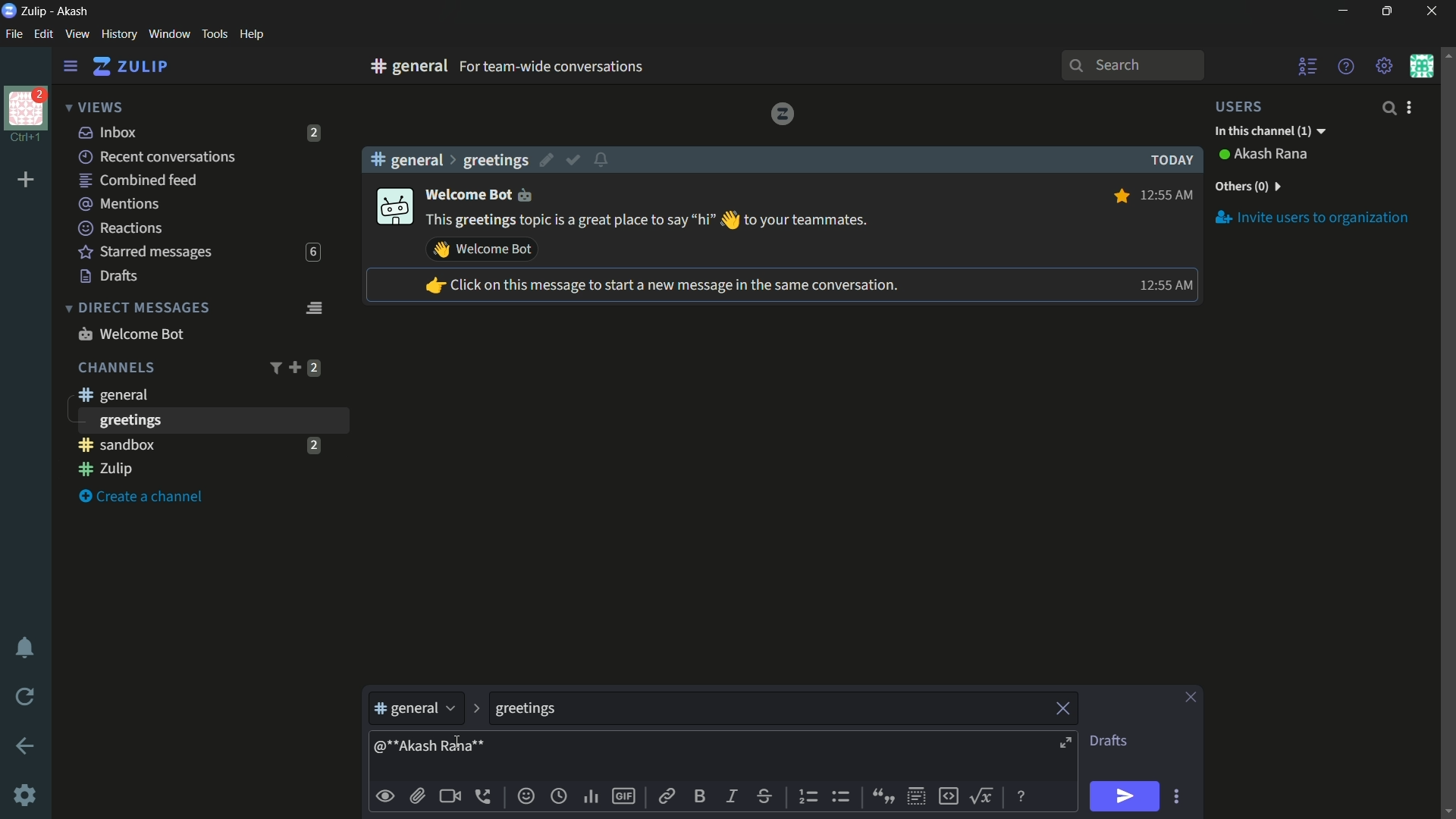 The image size is (1456, 819). What do you see at coordinates (604, 158) in the screenshot?
I see `configure topic notifications` at bounding box center [604, 158].